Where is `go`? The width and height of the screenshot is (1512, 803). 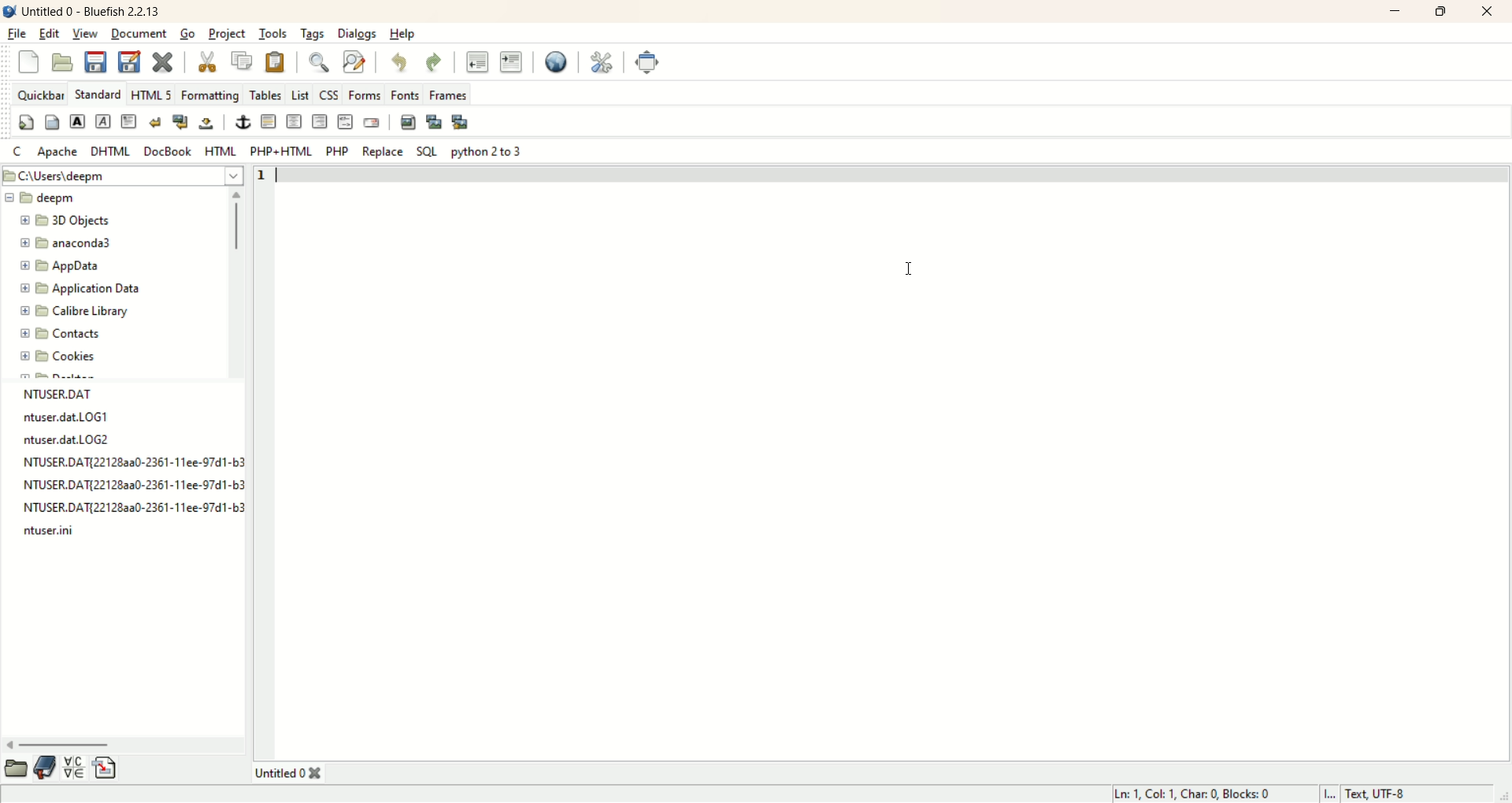 go is located at coordinates (190, 35).